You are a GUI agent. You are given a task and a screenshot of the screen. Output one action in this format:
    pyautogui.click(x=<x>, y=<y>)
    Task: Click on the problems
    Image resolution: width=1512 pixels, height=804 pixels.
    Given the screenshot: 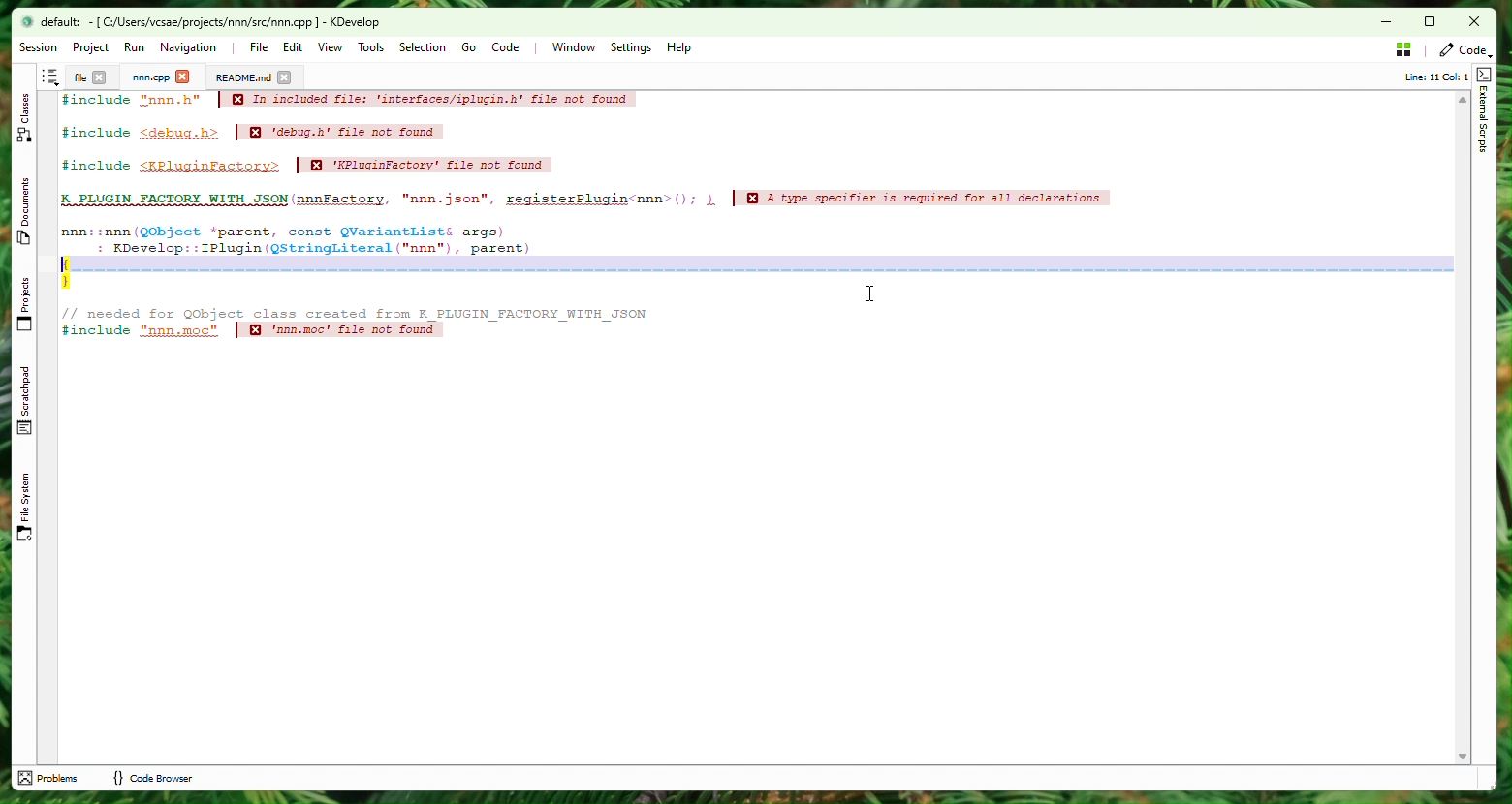 What is the action you would take?
    pyautogui.click(x=50, y=778)
    